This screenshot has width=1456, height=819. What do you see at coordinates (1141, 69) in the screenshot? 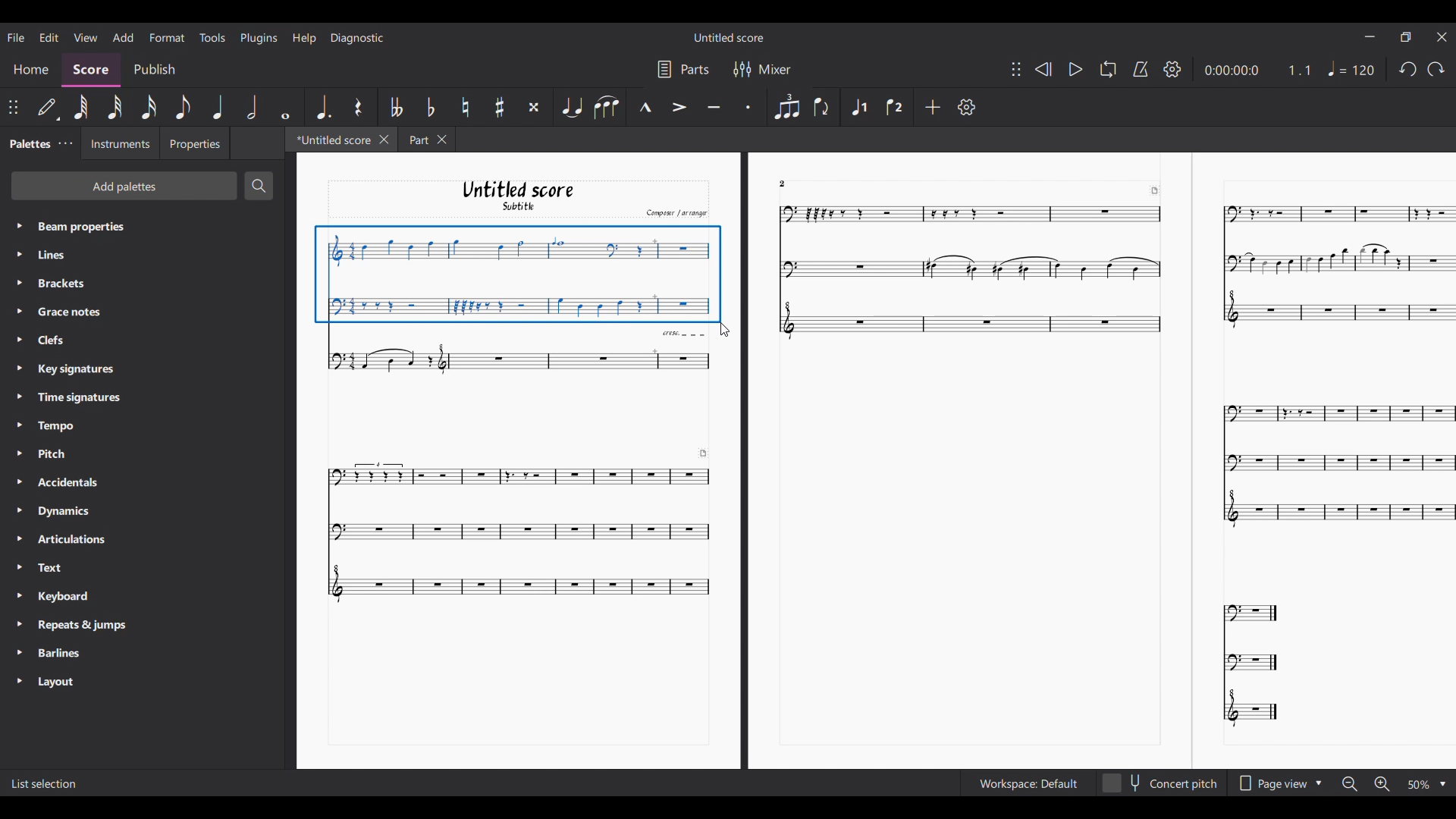
I see `Metronome` at bounding box center [1141, 69].